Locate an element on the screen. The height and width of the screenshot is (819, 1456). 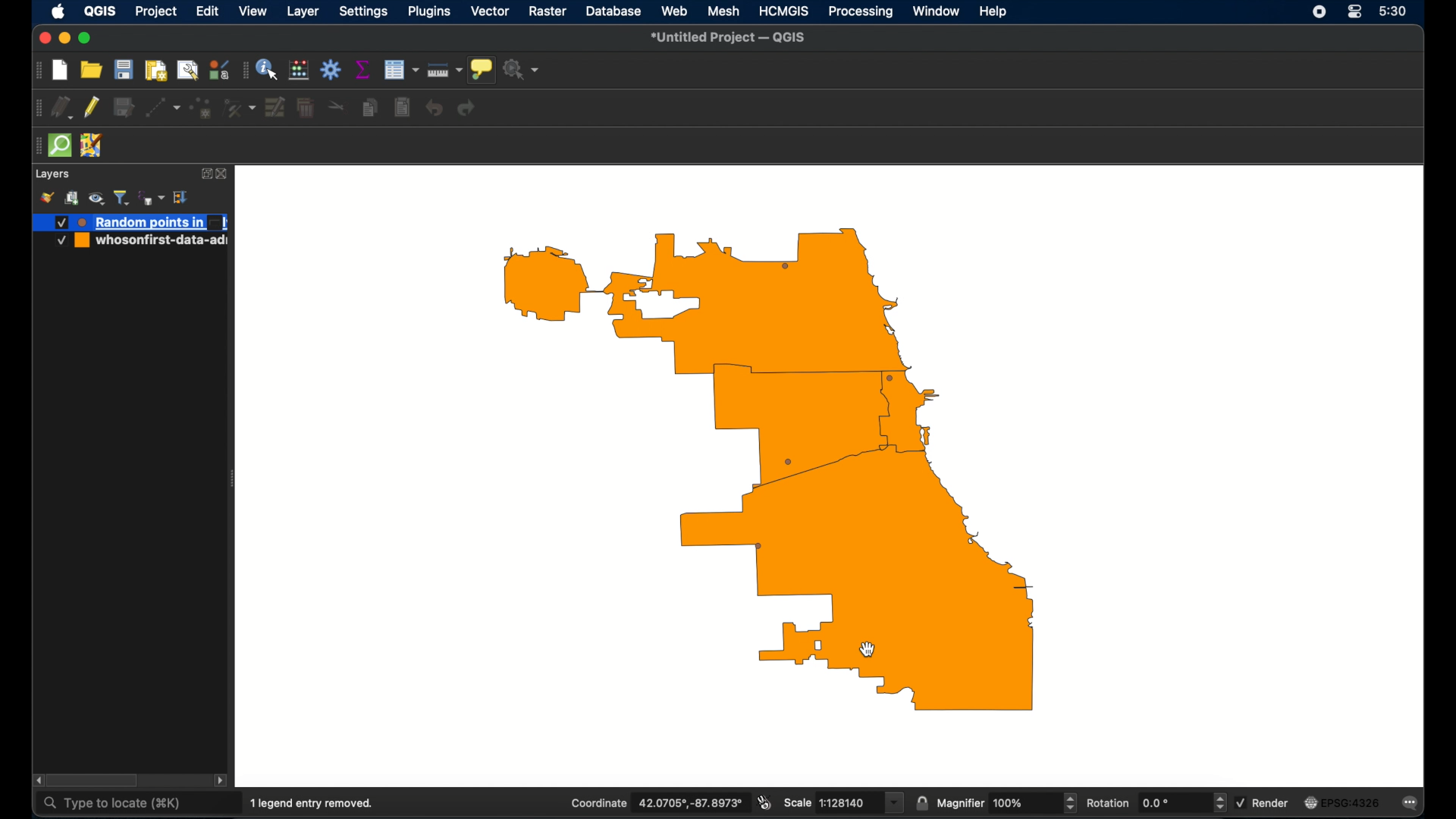
delete selected is located at coordinates (306, 106).